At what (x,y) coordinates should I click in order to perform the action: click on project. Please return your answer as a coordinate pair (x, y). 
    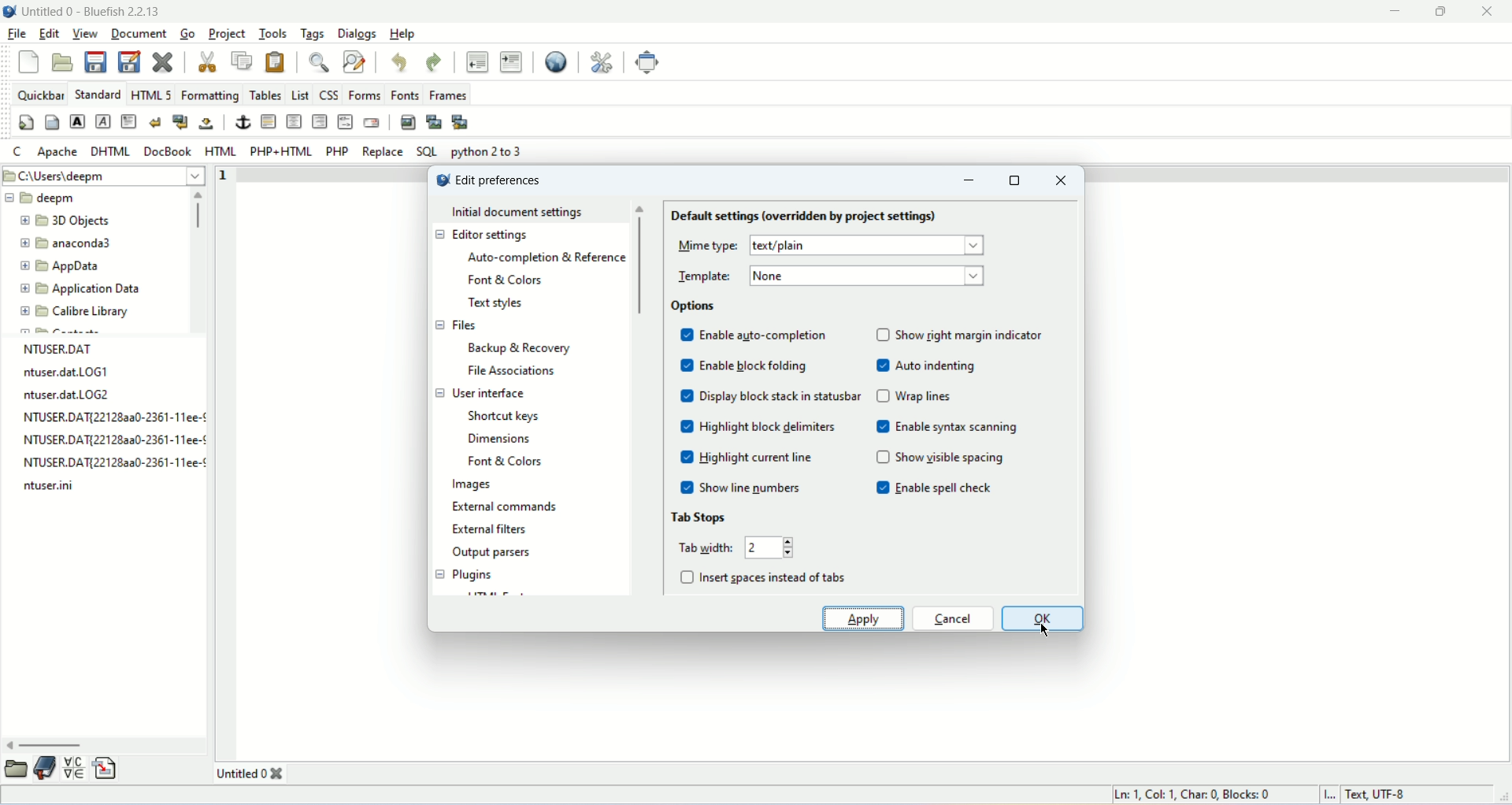
    Looking at the image, I should click on (224, 32).